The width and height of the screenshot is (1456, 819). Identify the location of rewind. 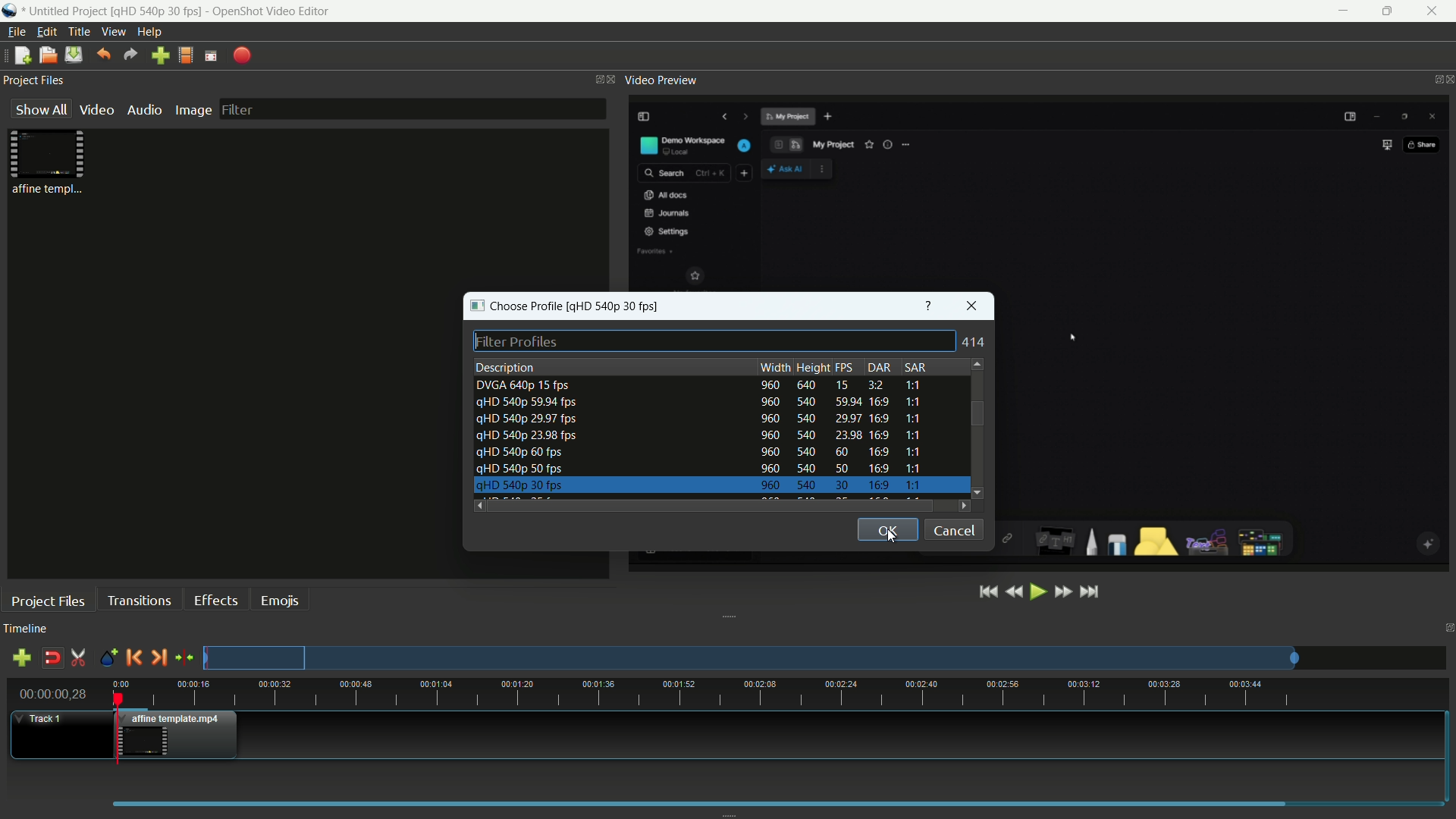
(1014, 593).